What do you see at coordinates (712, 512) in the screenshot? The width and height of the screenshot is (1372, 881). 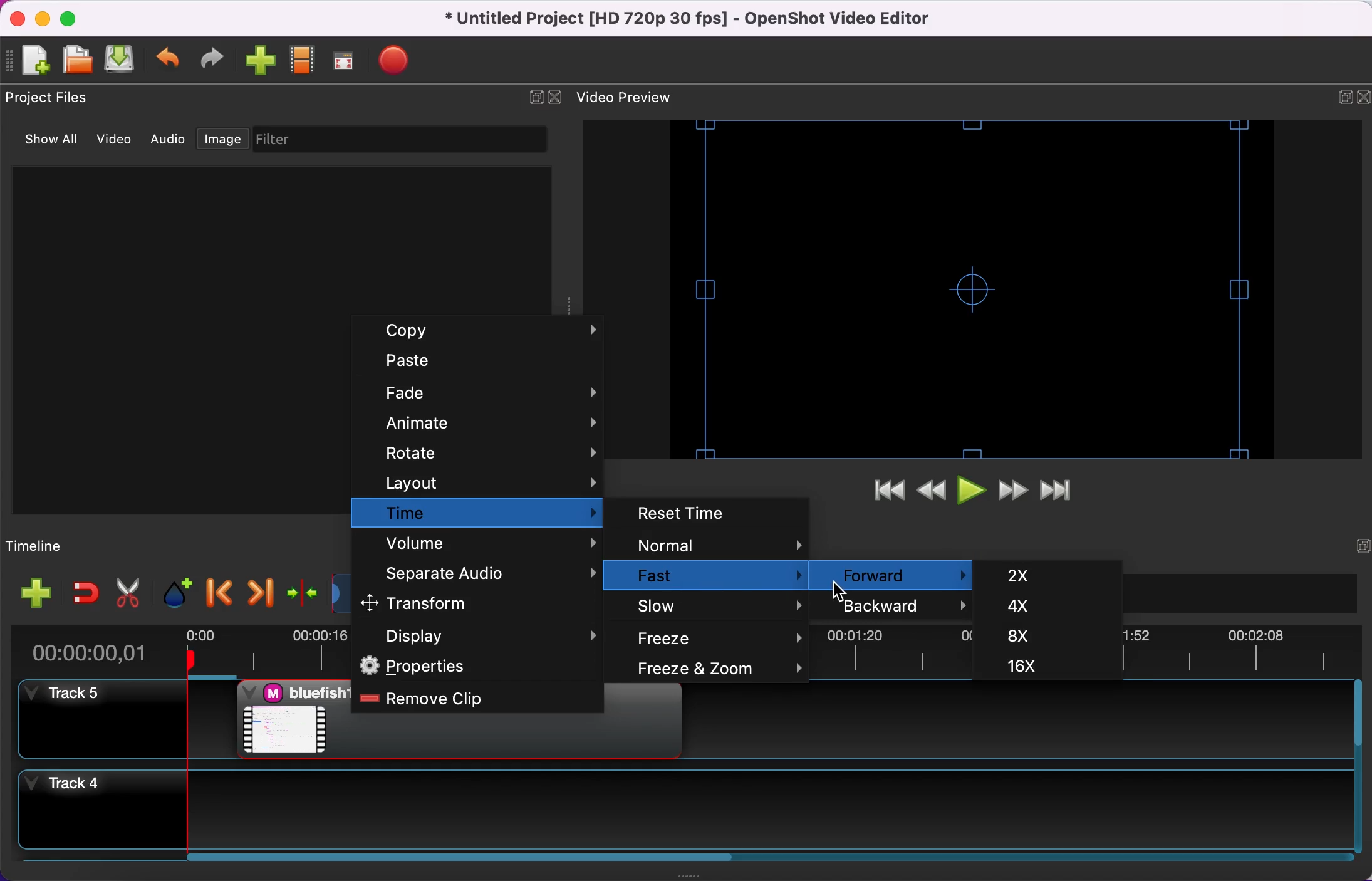 I see `reset time` at bounding box center [712, 512].